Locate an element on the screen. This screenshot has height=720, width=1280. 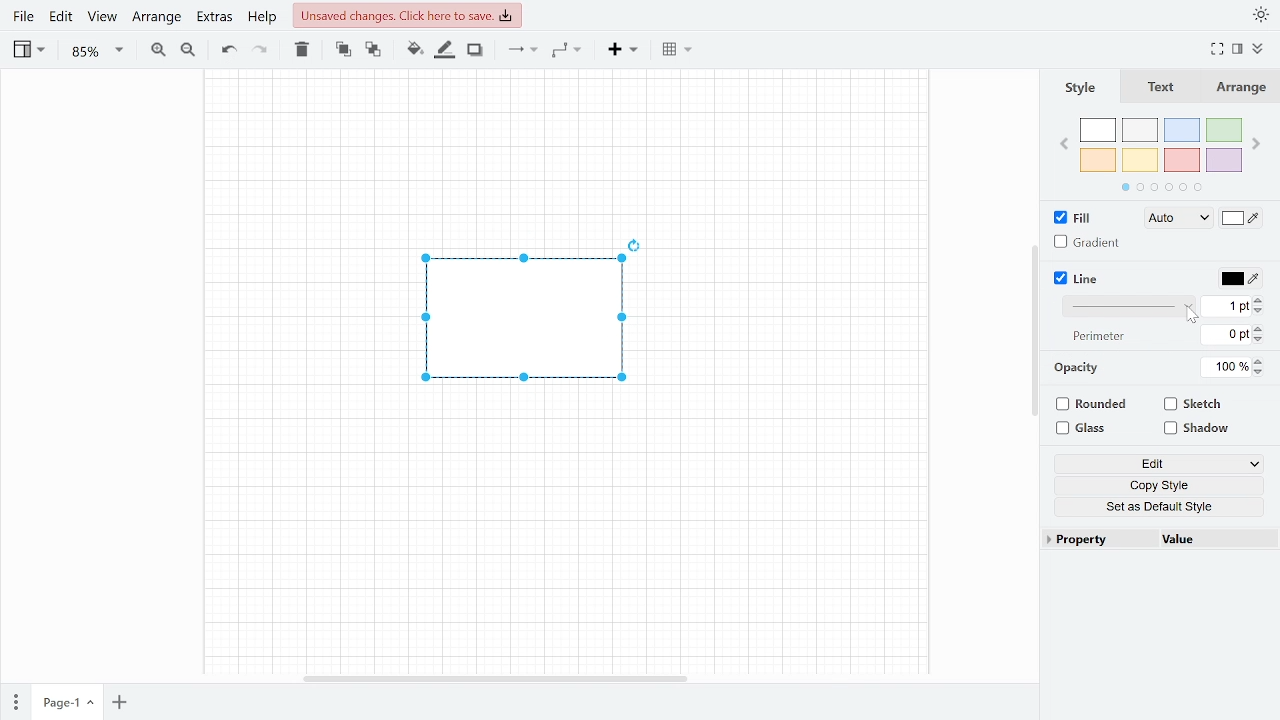
scroll bar is located at coordinates (497, 679).